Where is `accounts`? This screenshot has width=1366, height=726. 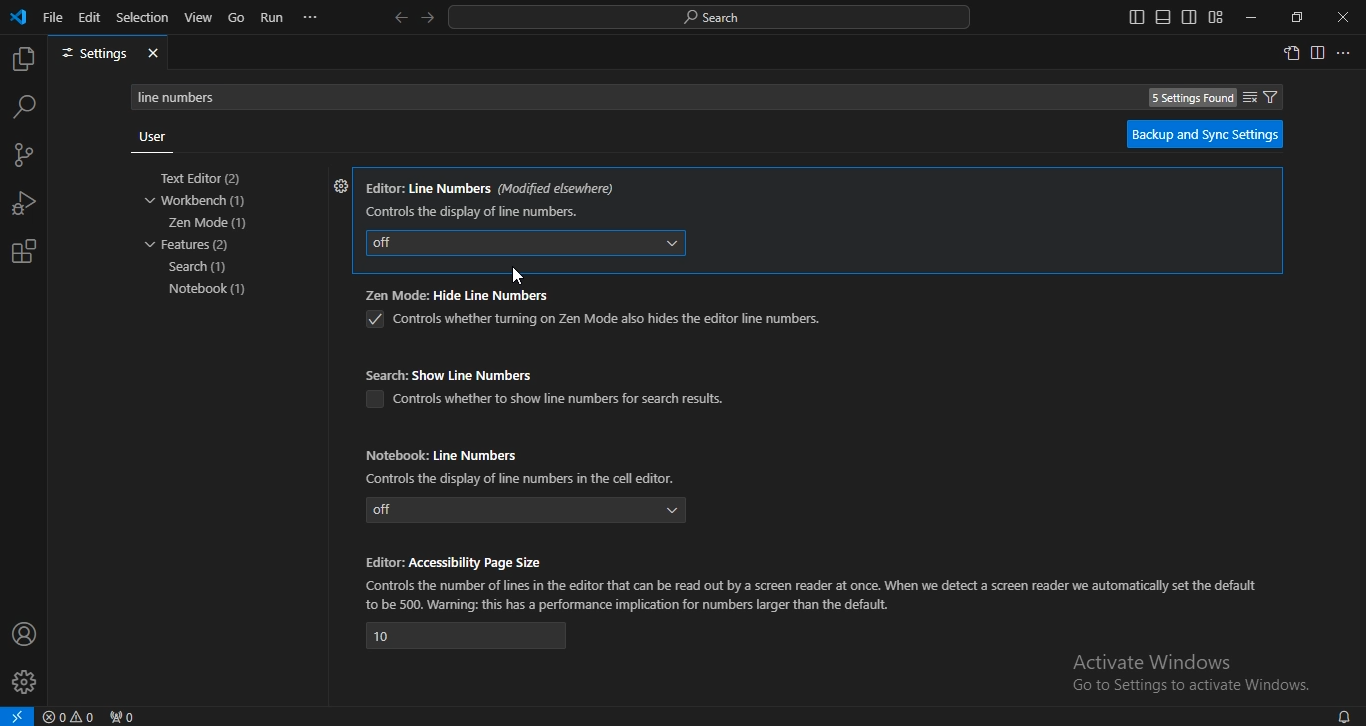
accounts is located at coordinates (25, 633).